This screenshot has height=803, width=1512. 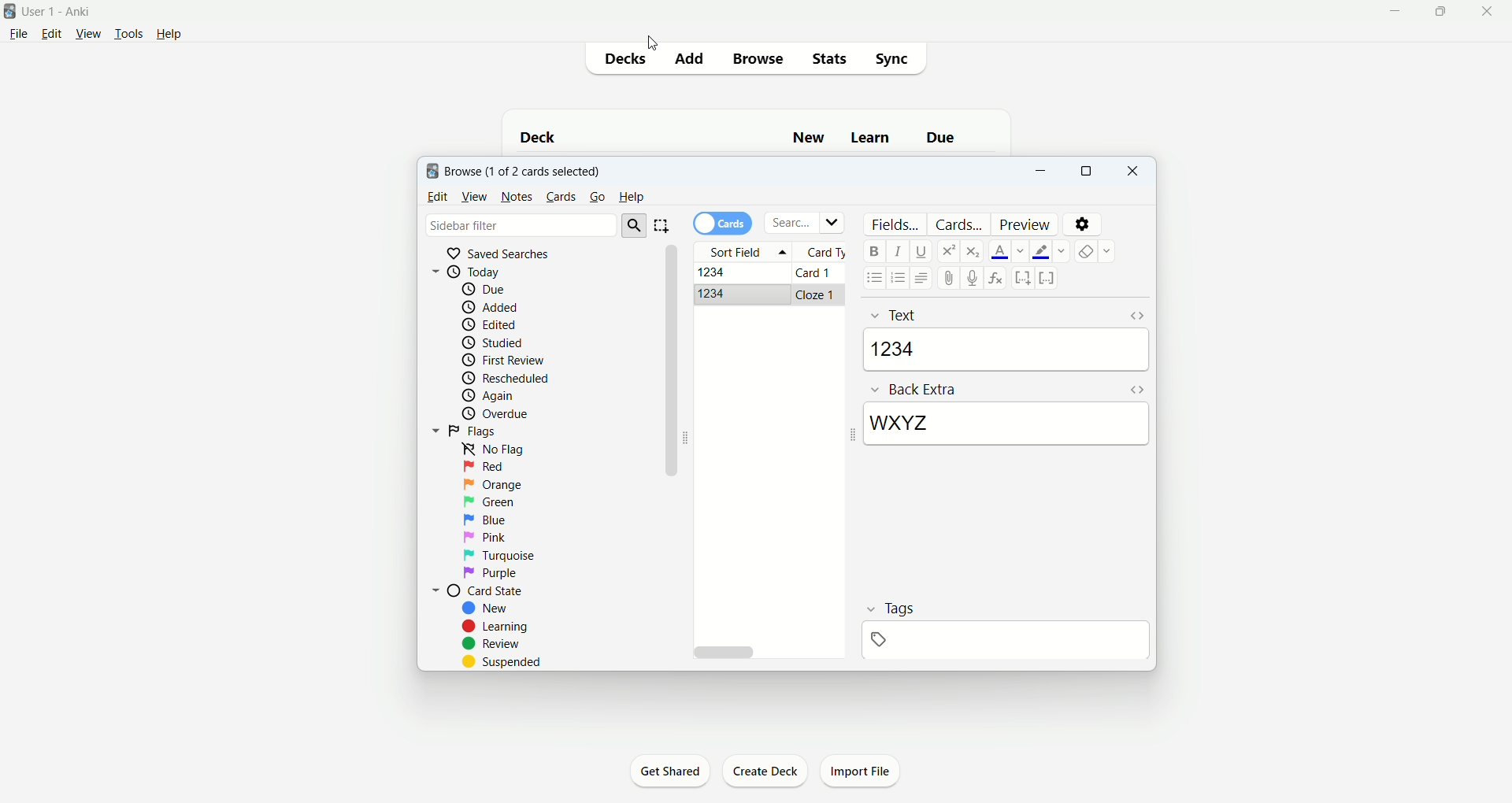 What do you see at coordinates (475, 198) in the screenshot?
I see `view` at bounding box center [475, 198].